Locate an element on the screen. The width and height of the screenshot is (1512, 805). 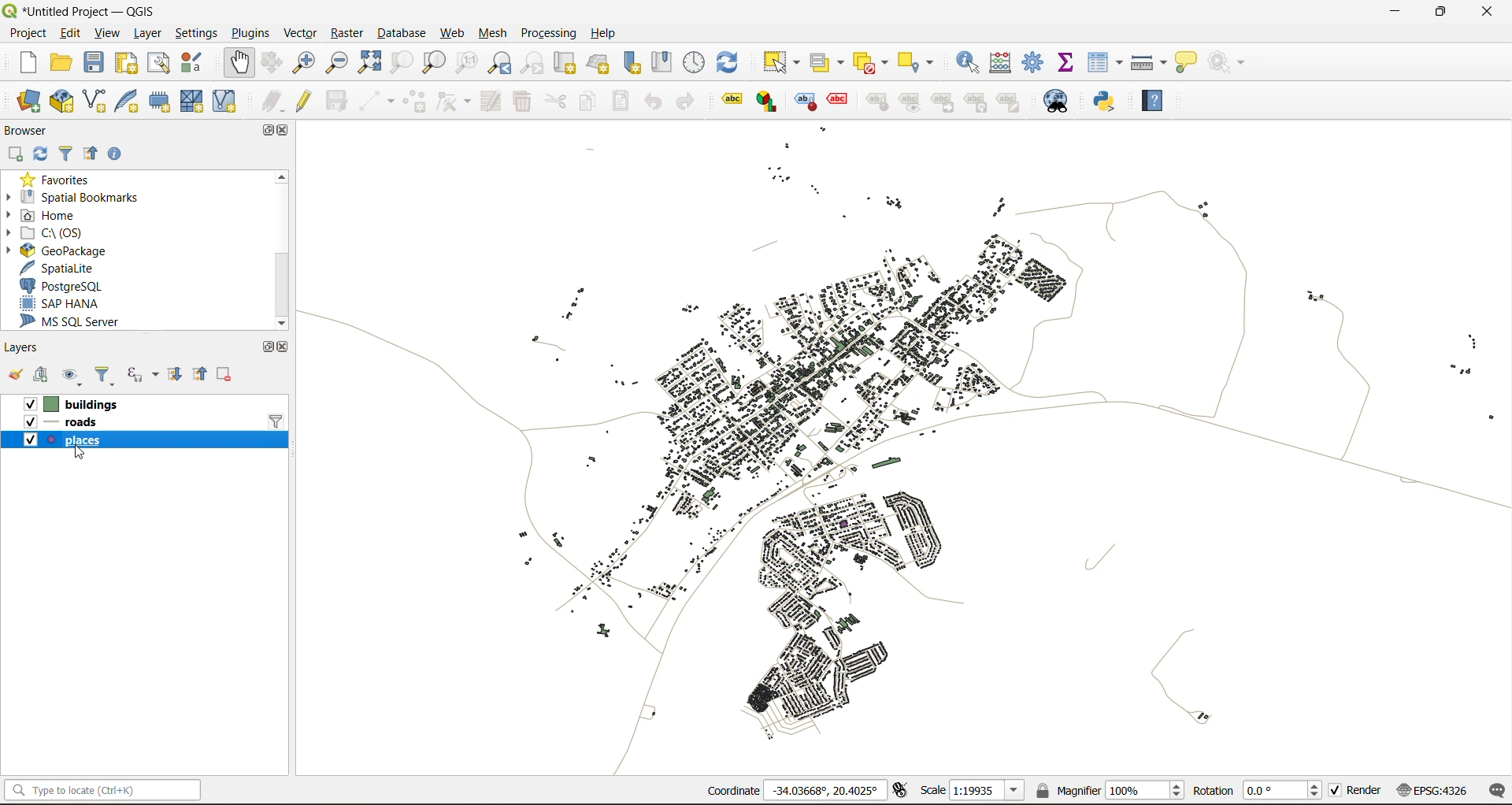
zoom out is located at coordinates (341, 60).